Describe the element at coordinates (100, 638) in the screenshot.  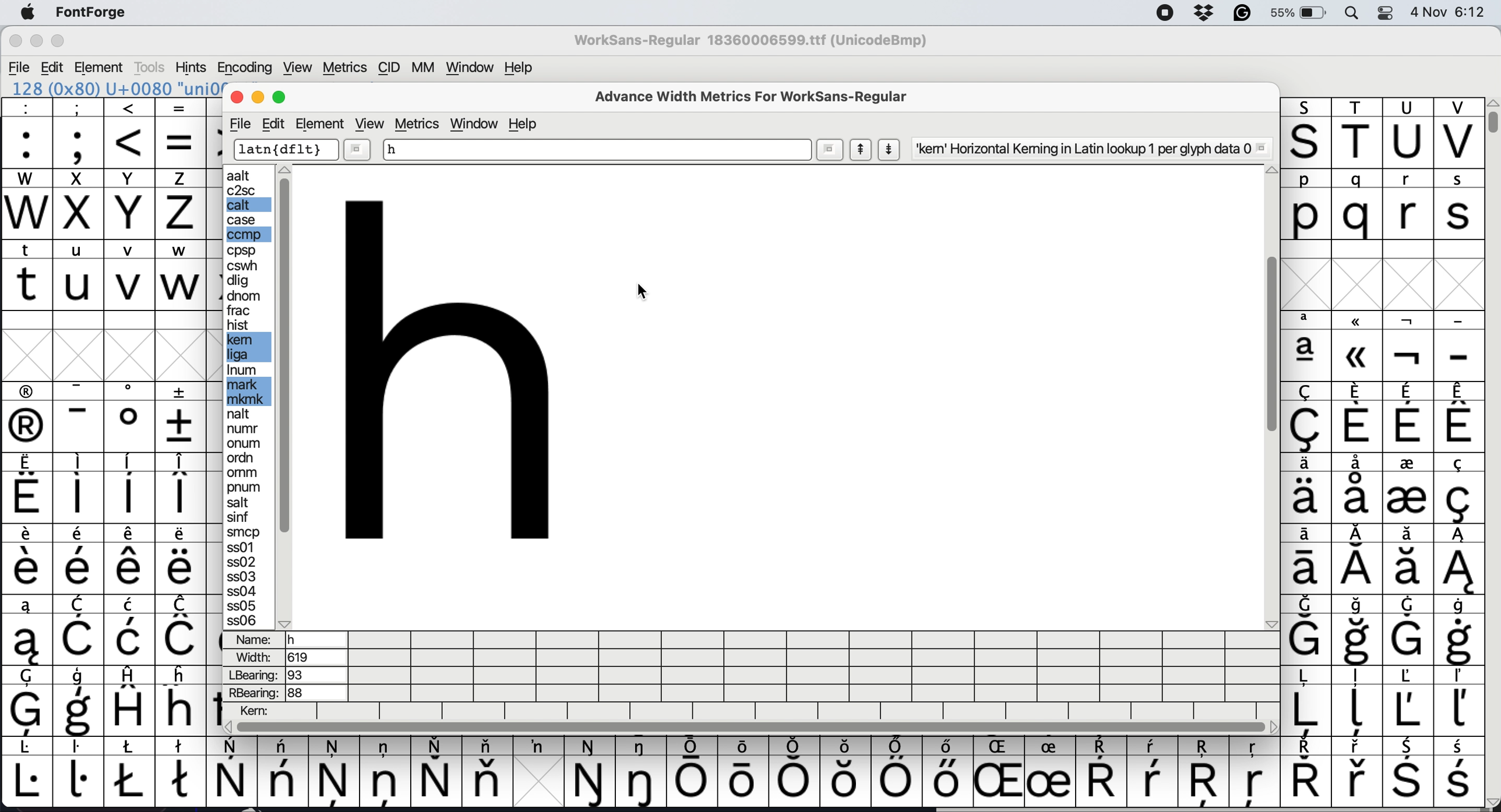
I see `special characters` at that location.